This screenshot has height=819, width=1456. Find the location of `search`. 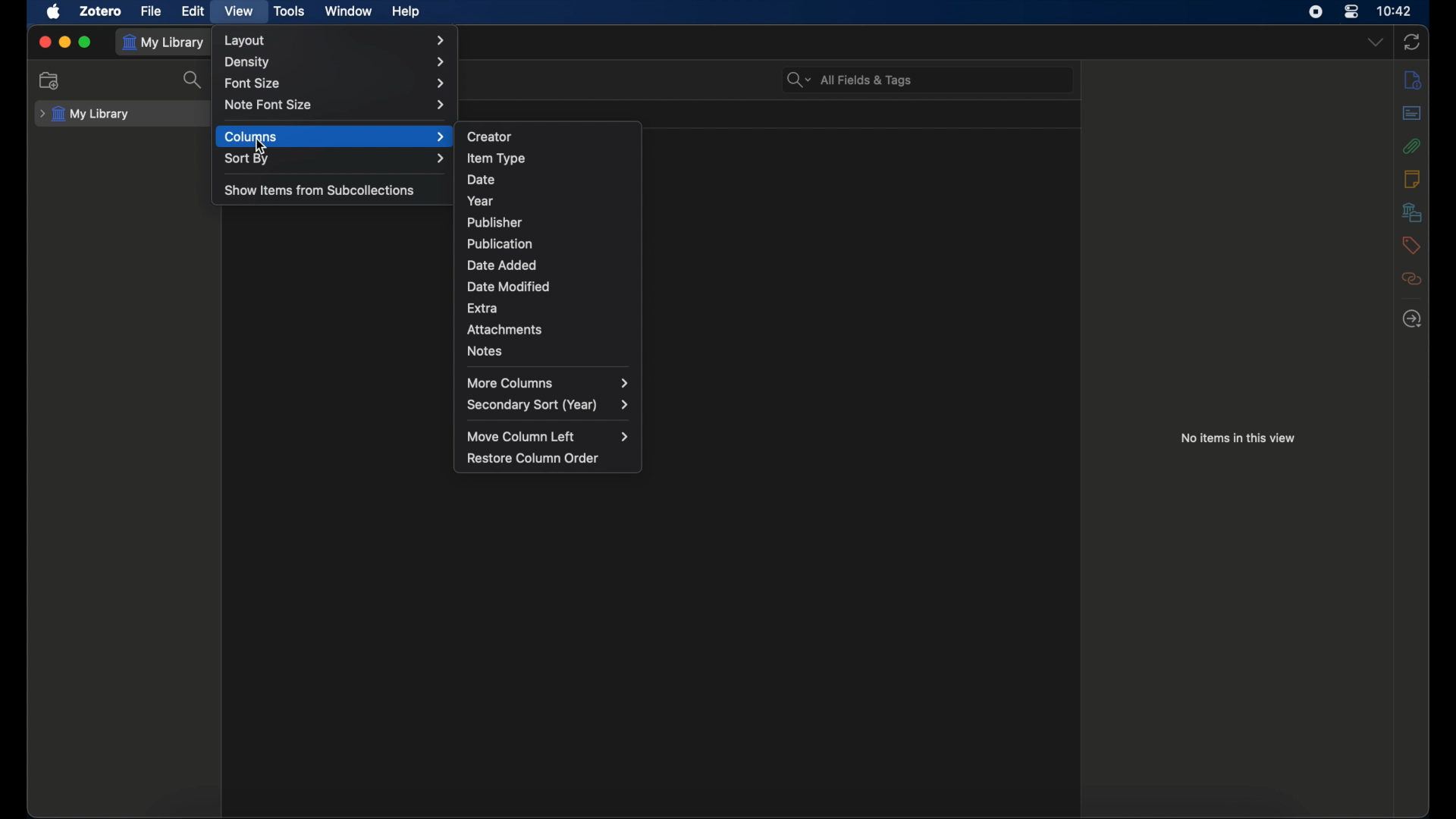

search is located at coordinates (194, 80).